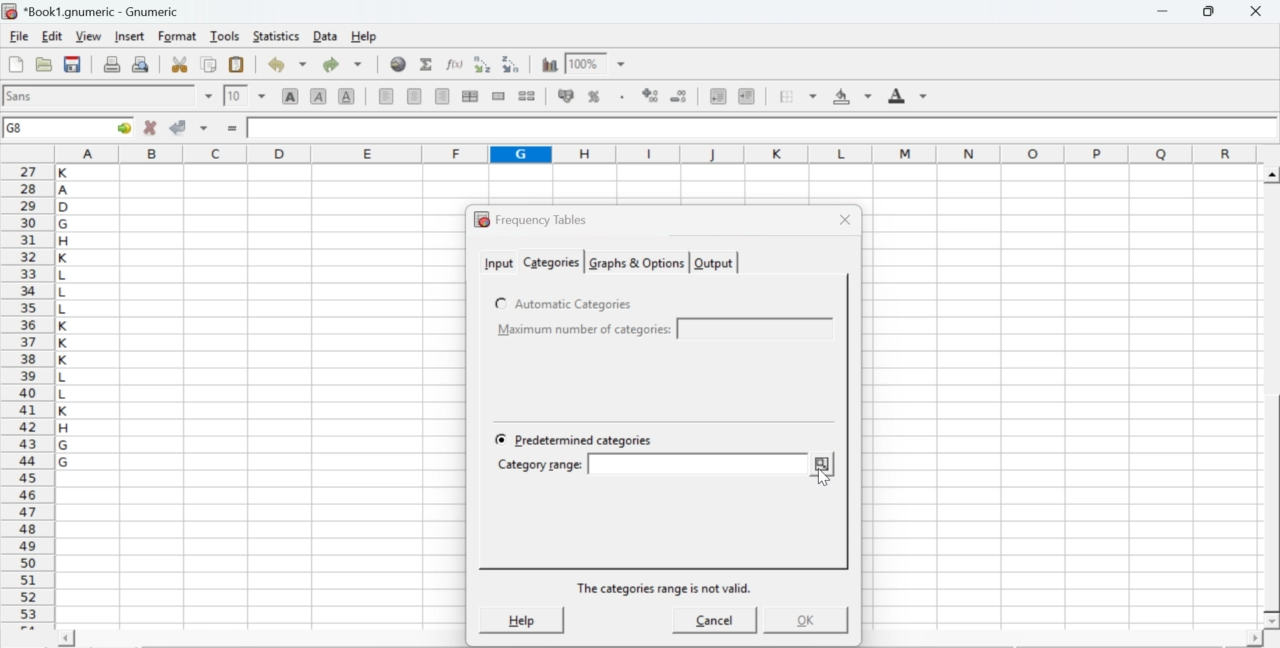  Describe the element at coordinates (578, 440) in the screenshot. I see `predetermined categories` at that location.